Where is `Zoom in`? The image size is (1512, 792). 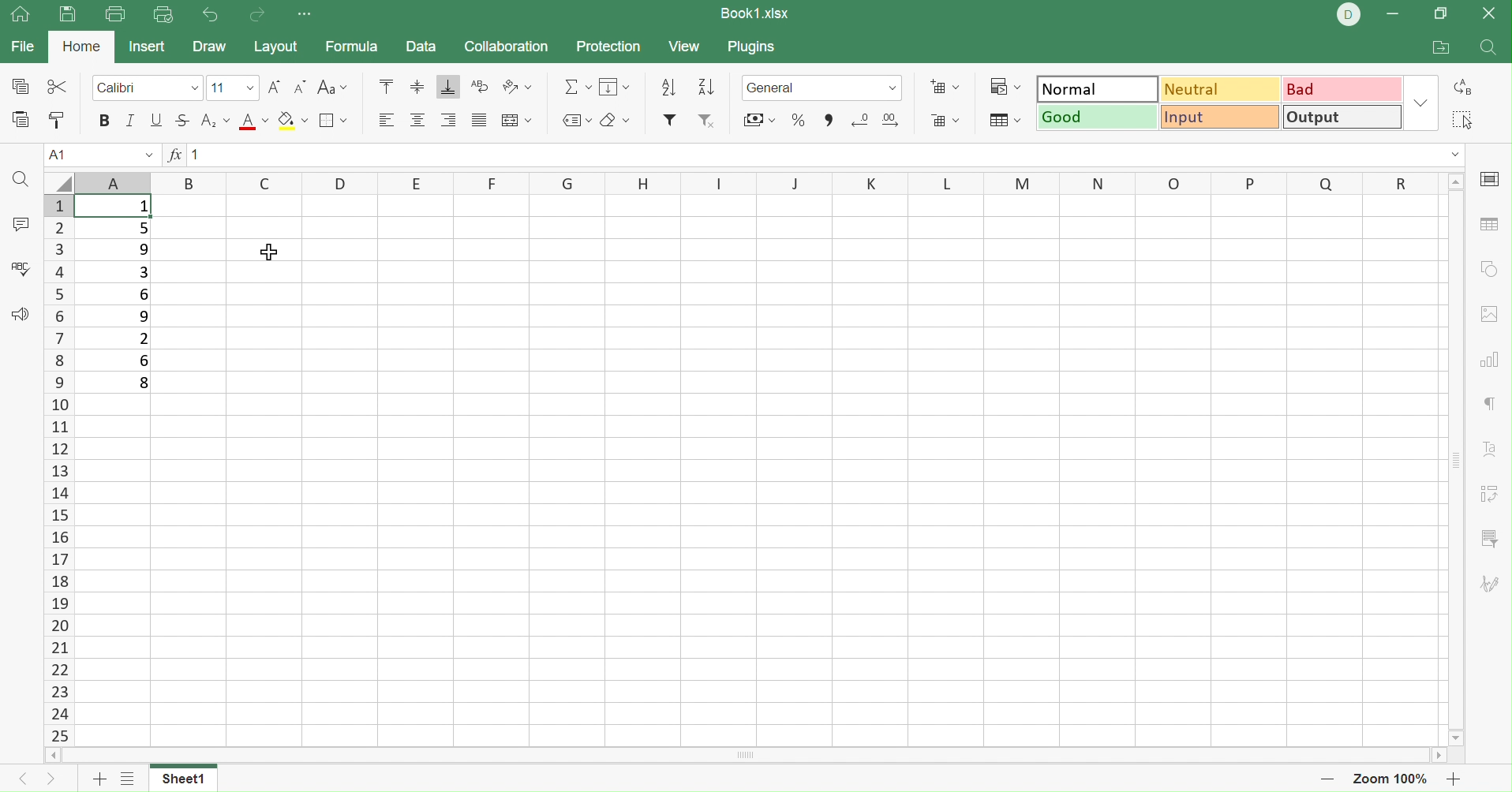 Zoom in is located at coordinates (1458, 779).